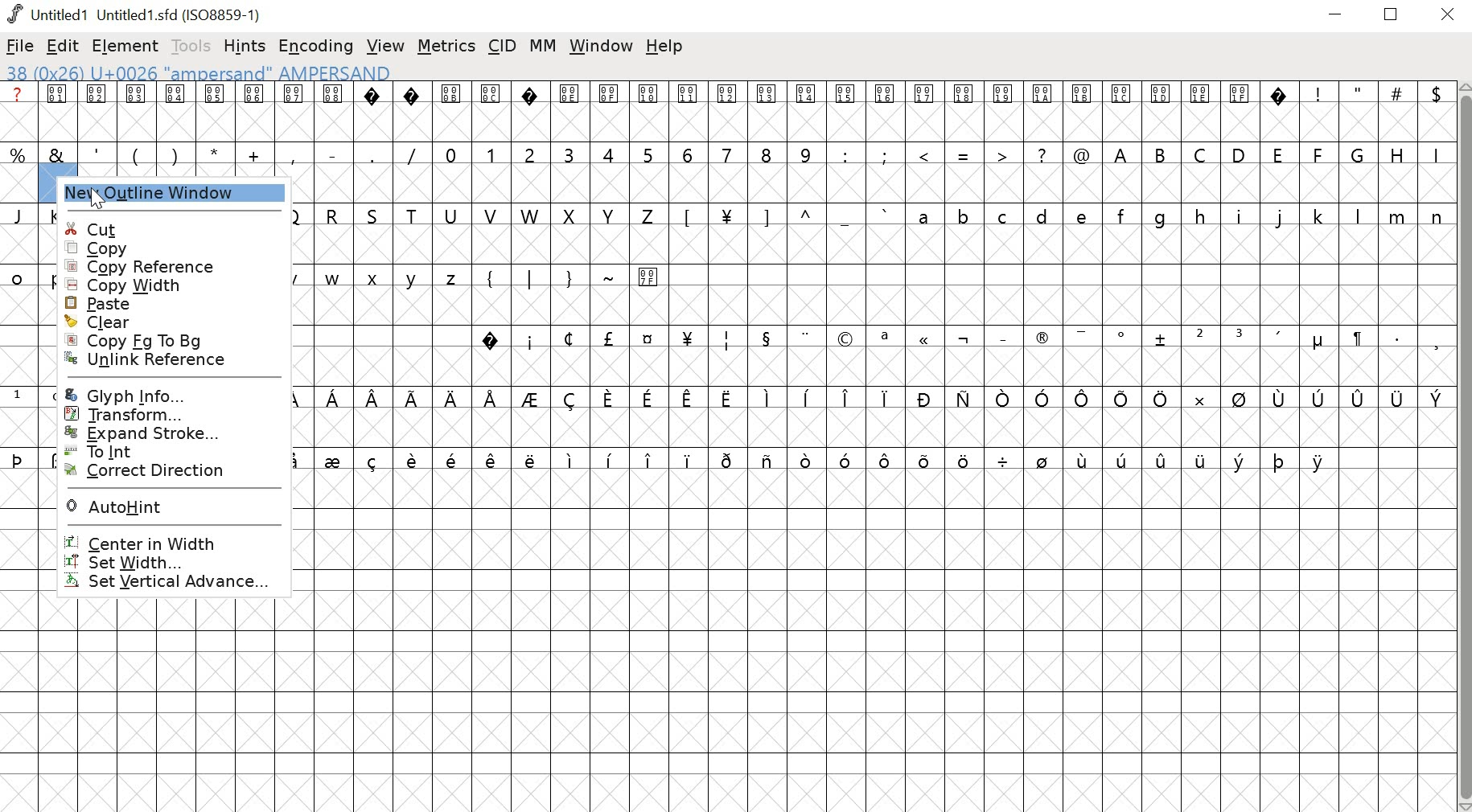 The height and width of the screenshot is (812, 1472). Describe the element at coordinates (162, 341) in the screenshot. I see `copy Fg To Bg` at that location.